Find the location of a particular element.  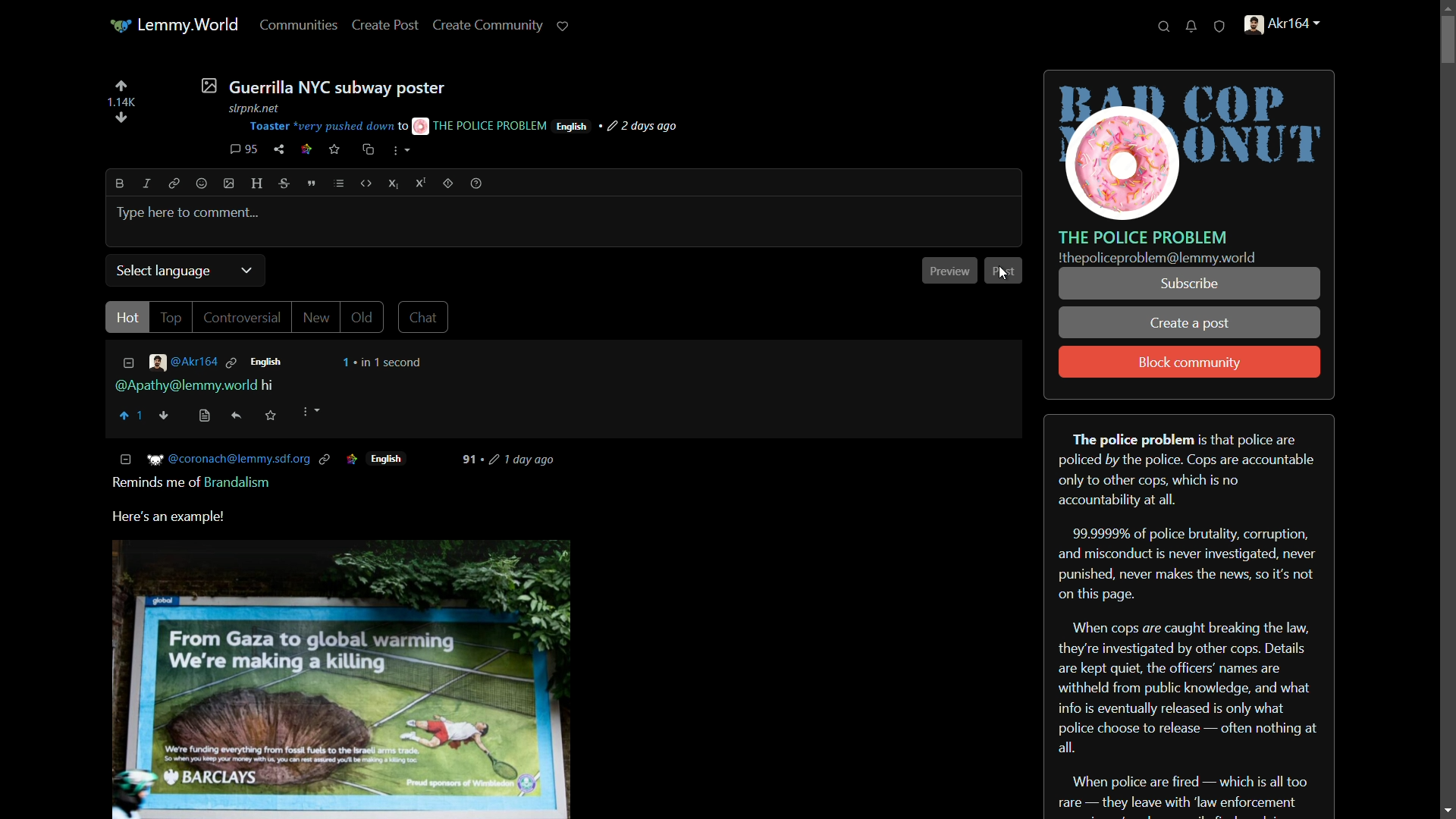

share is located at coordinates (279, 149).